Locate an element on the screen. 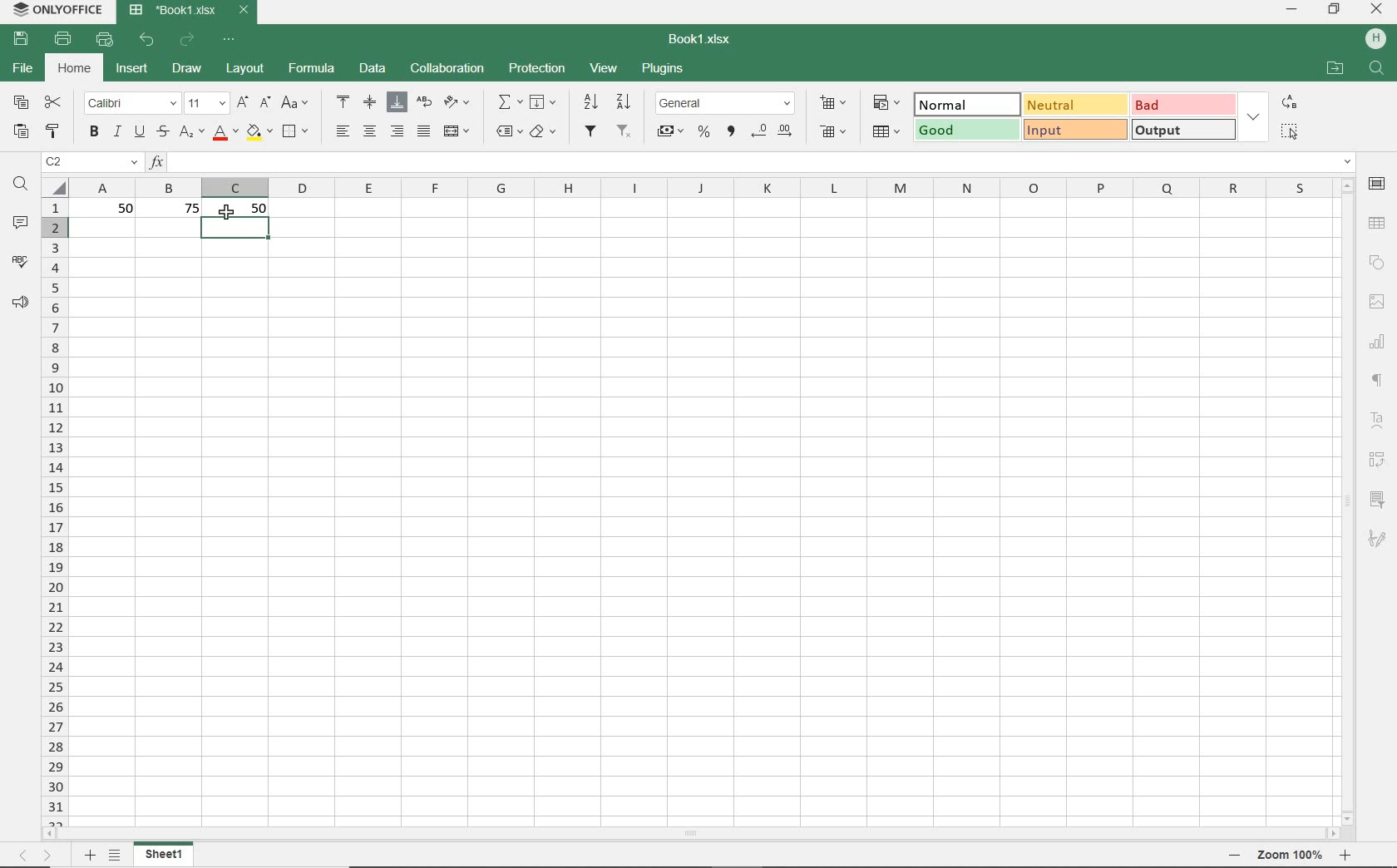 The image size is (1397, 868). italic is located at coordinates (116, 132).